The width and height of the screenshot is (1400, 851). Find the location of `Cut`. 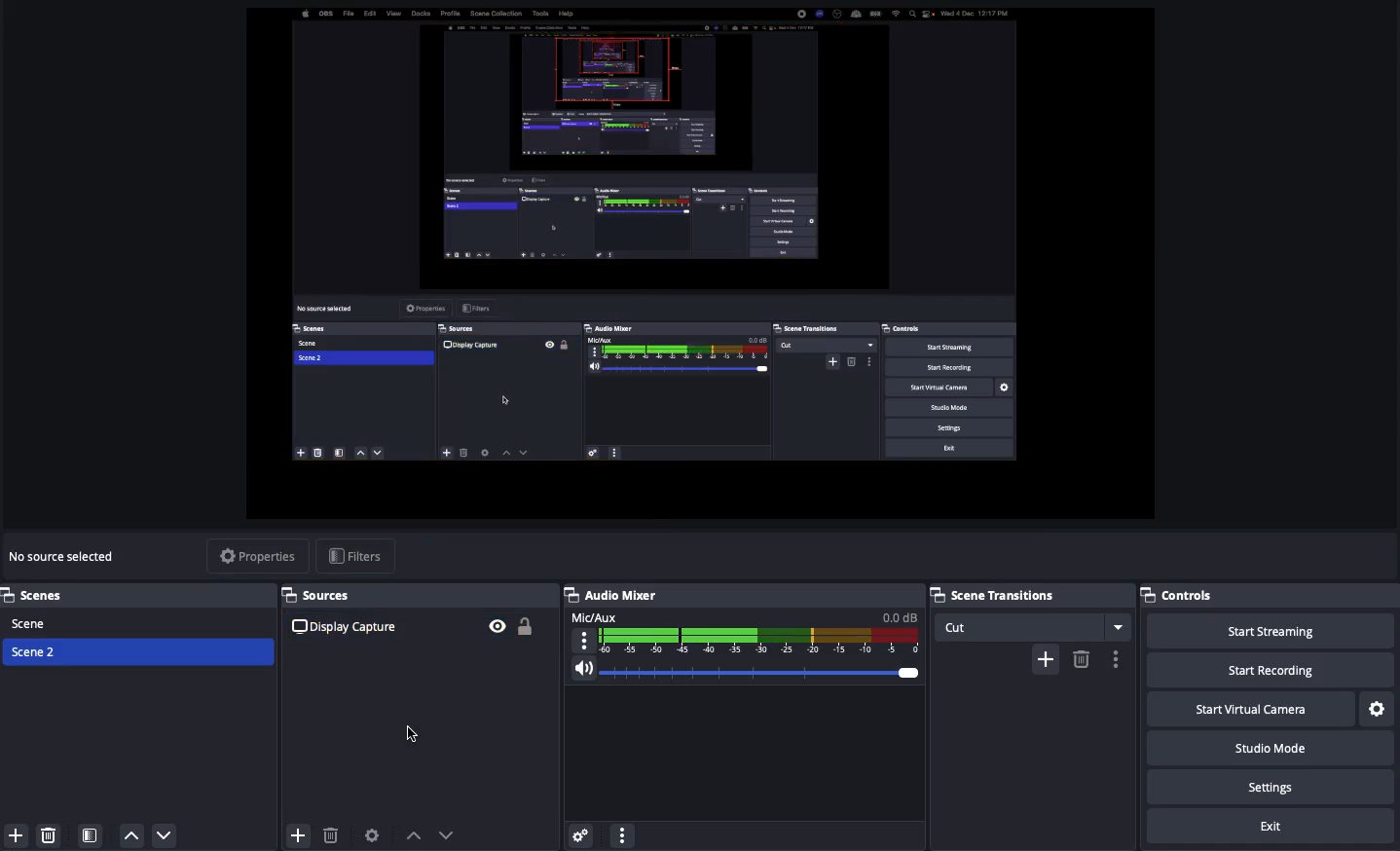

Cut is located at coordinates (1034, 627).